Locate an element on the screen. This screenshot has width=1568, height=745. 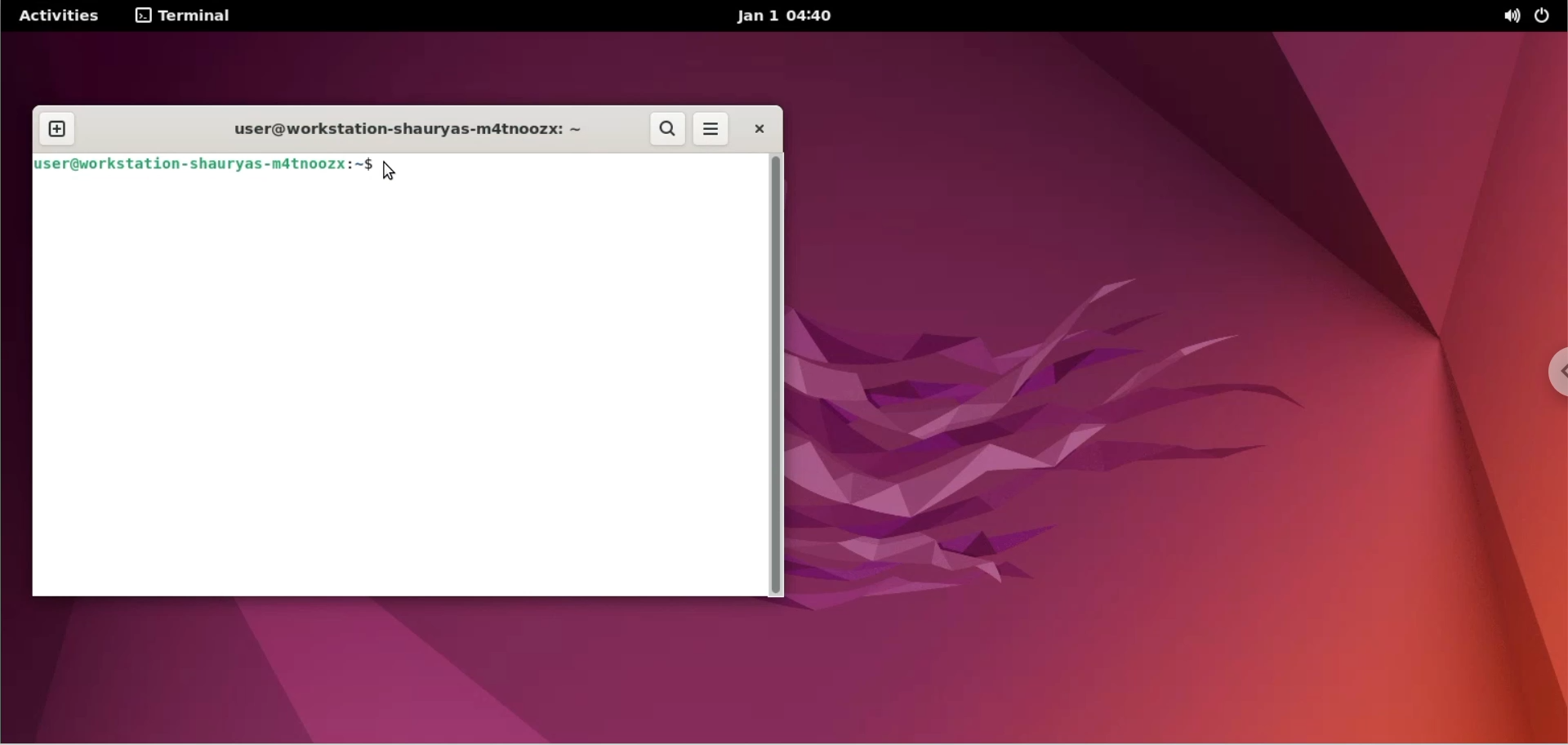
scrollbar is located at coordinates (777, 374).